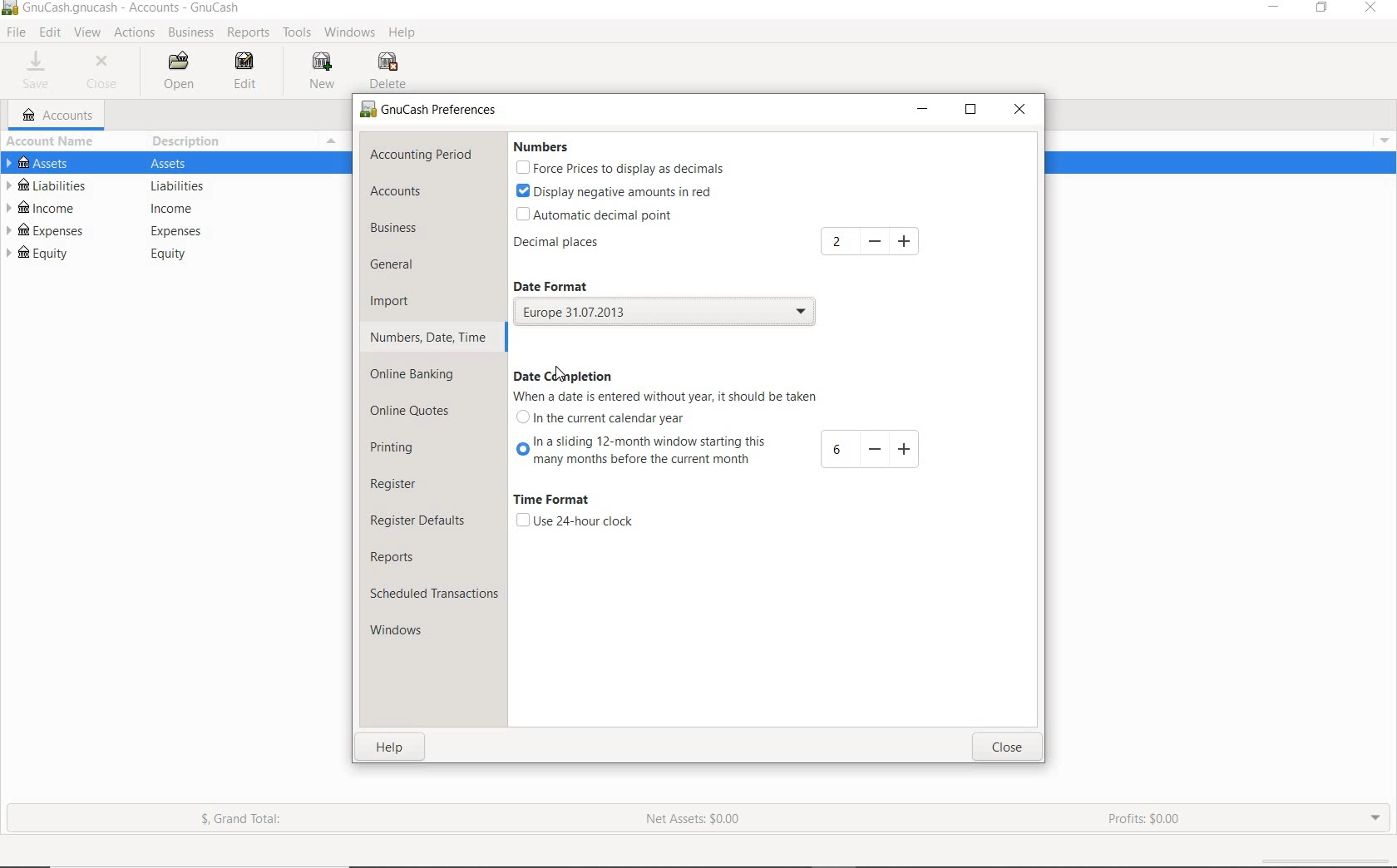  Describe the element at coordinates (50, 32) in the screenshot. I see `EDIT` at that location.